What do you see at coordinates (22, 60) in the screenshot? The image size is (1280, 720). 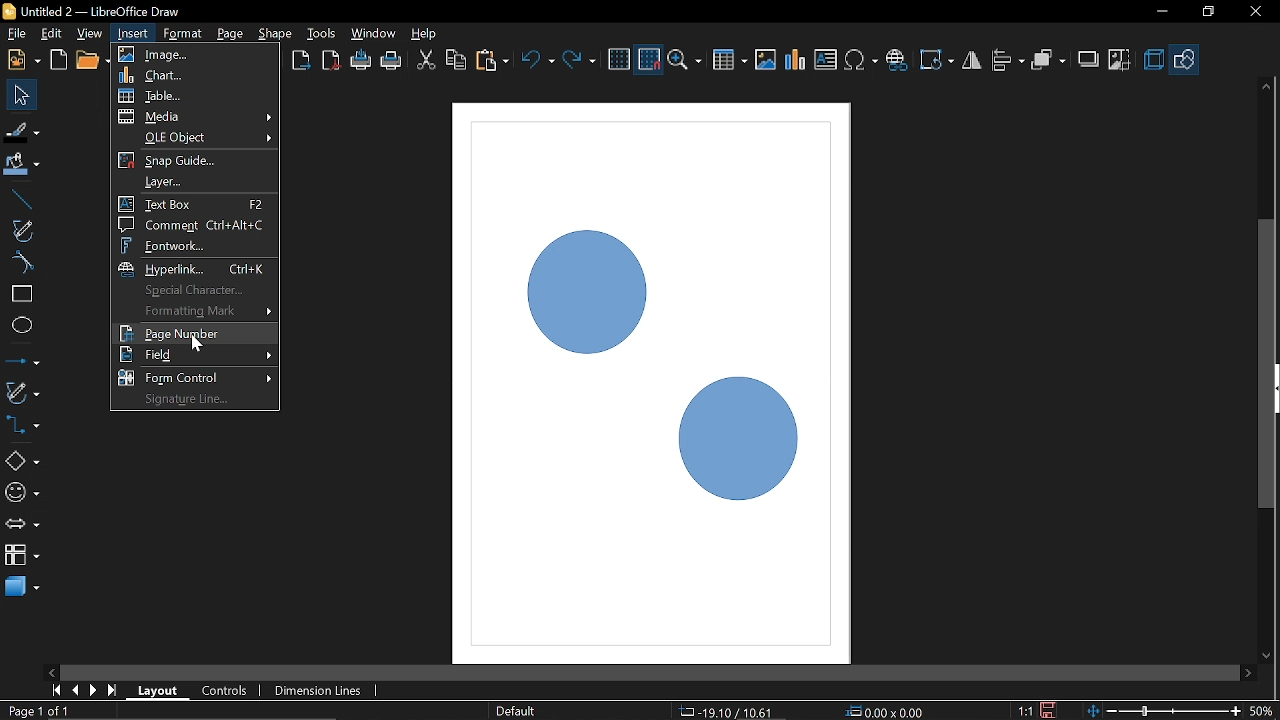 I see `New` at bounding box center [22, 60].